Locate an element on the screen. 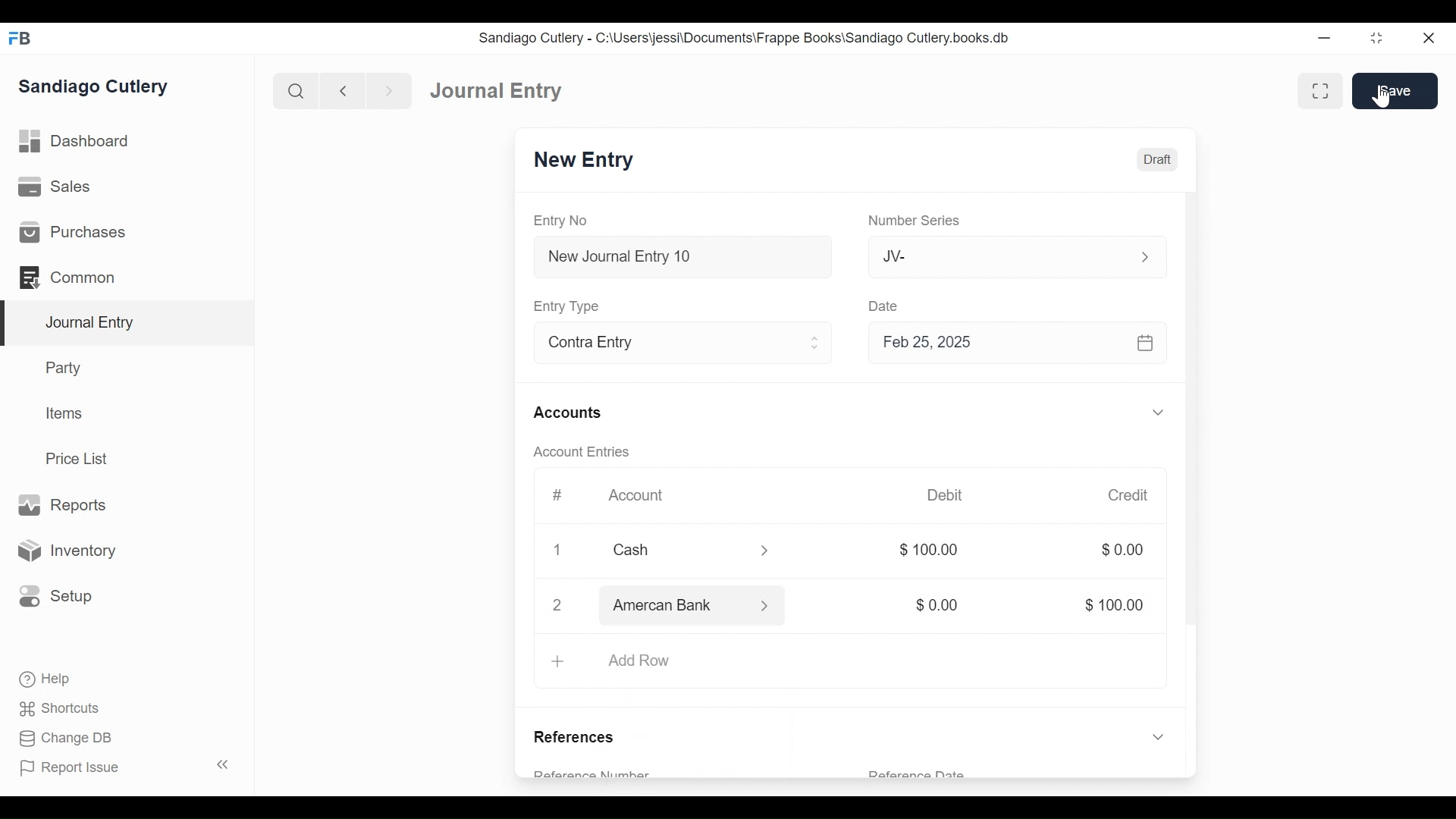 The height and width of the screenshot is (819, 1456). Account is located at coordinates (638, 497).